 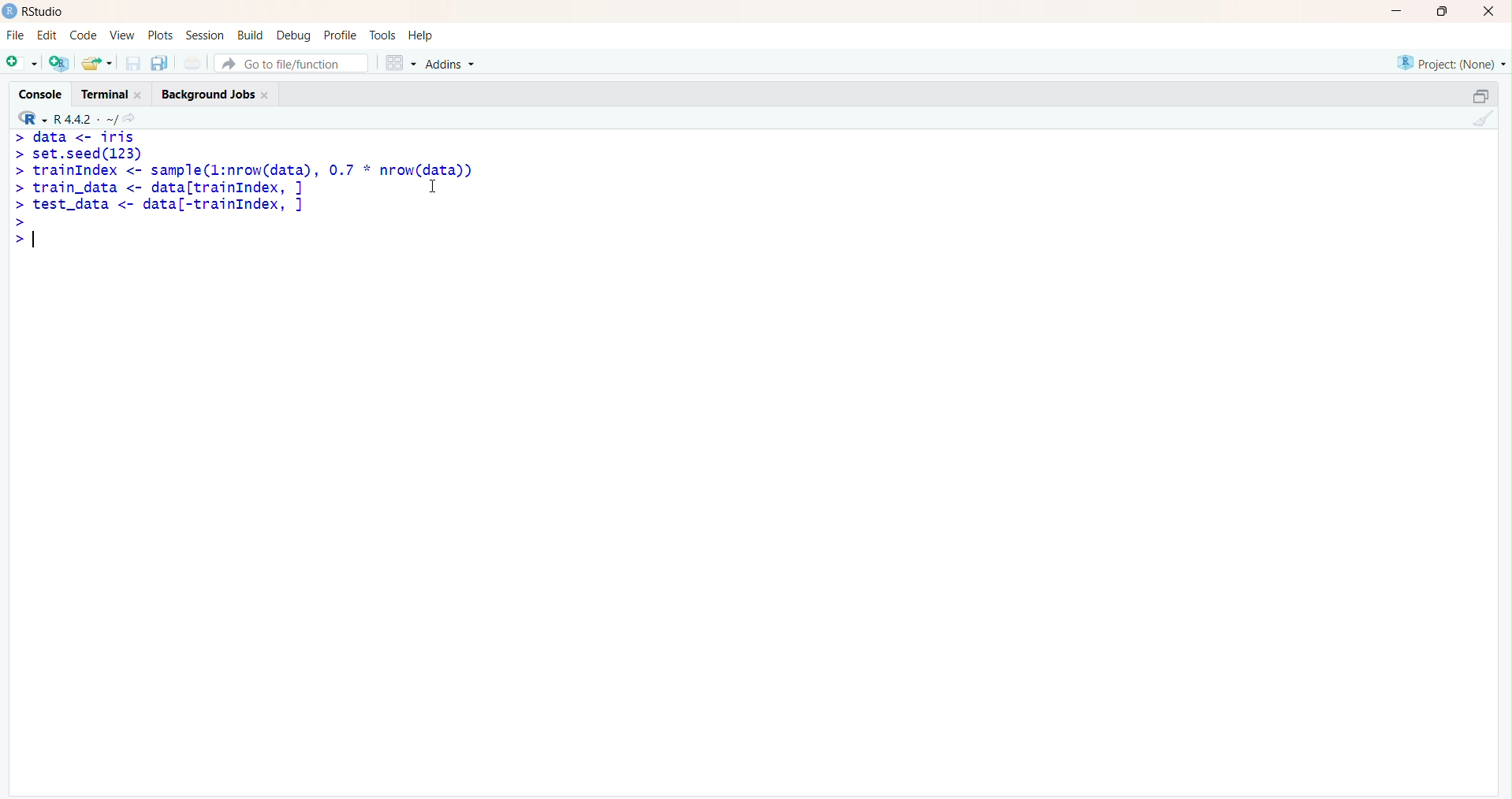 I want to click on Open an existing file (Ctrl + O), so click(x=99, y=63).